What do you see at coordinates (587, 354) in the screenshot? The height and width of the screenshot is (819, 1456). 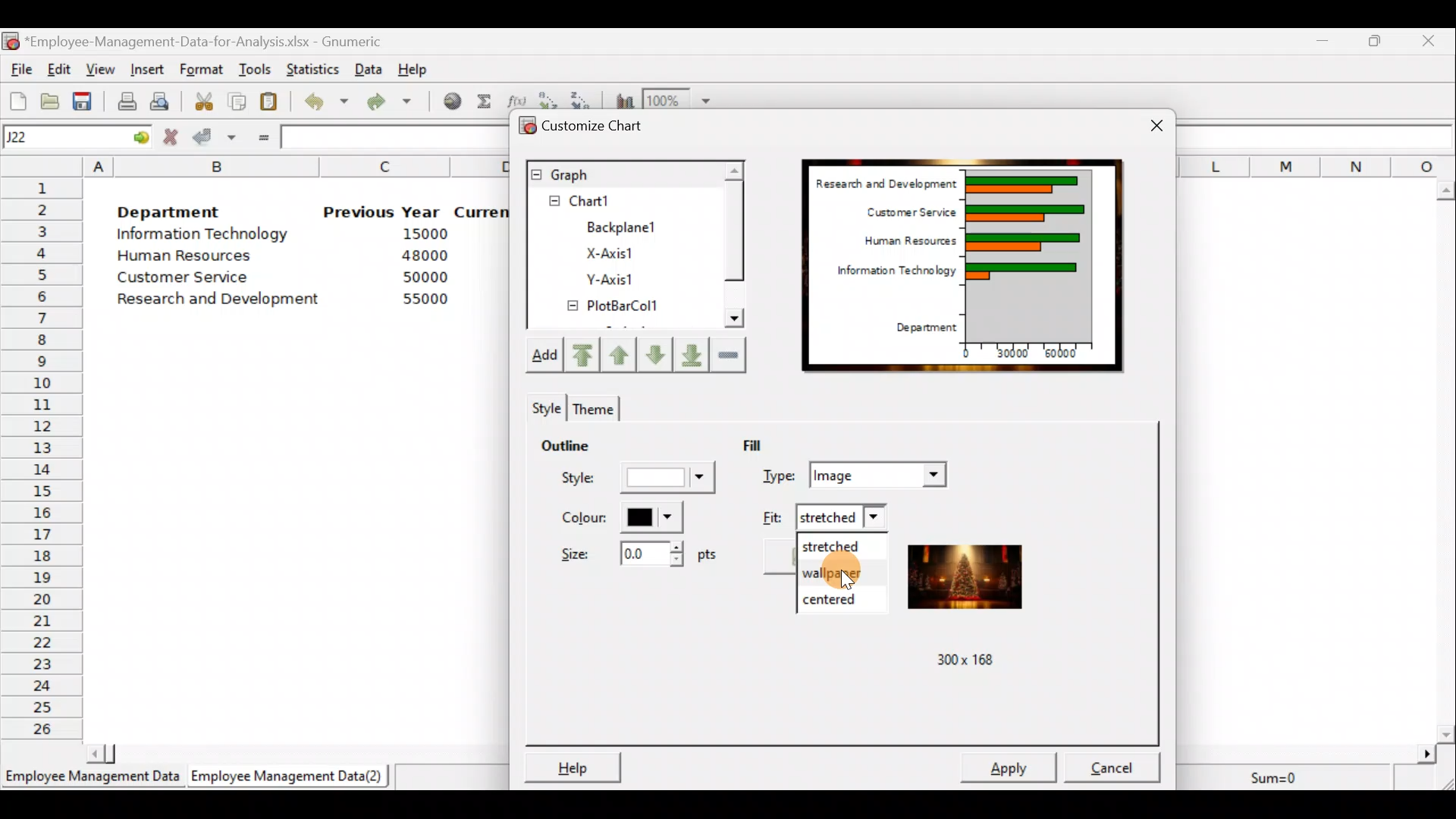 I see `Move upward` at bounding box center [587, 354].